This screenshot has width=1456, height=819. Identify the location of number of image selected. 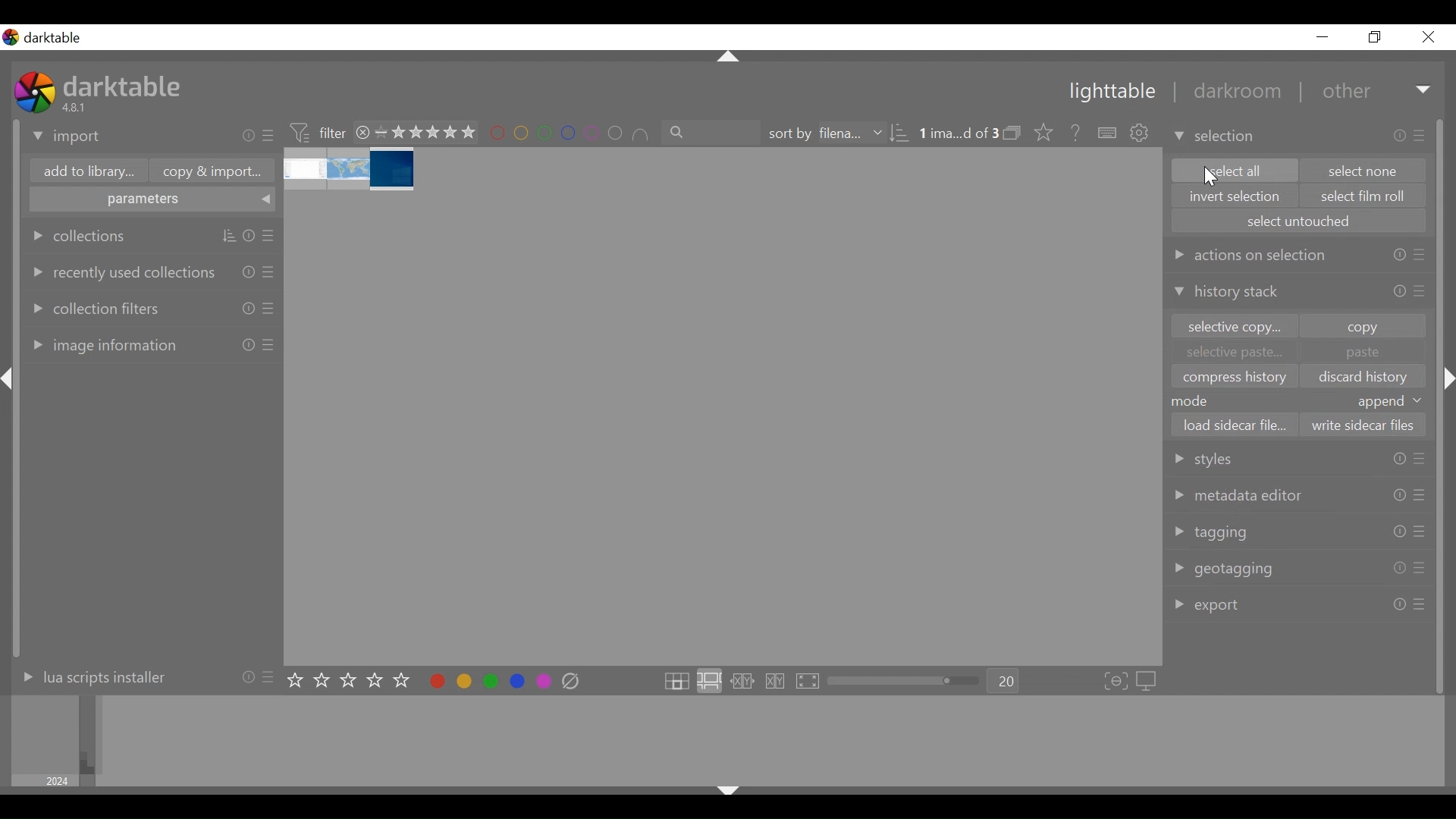
(958, 133).